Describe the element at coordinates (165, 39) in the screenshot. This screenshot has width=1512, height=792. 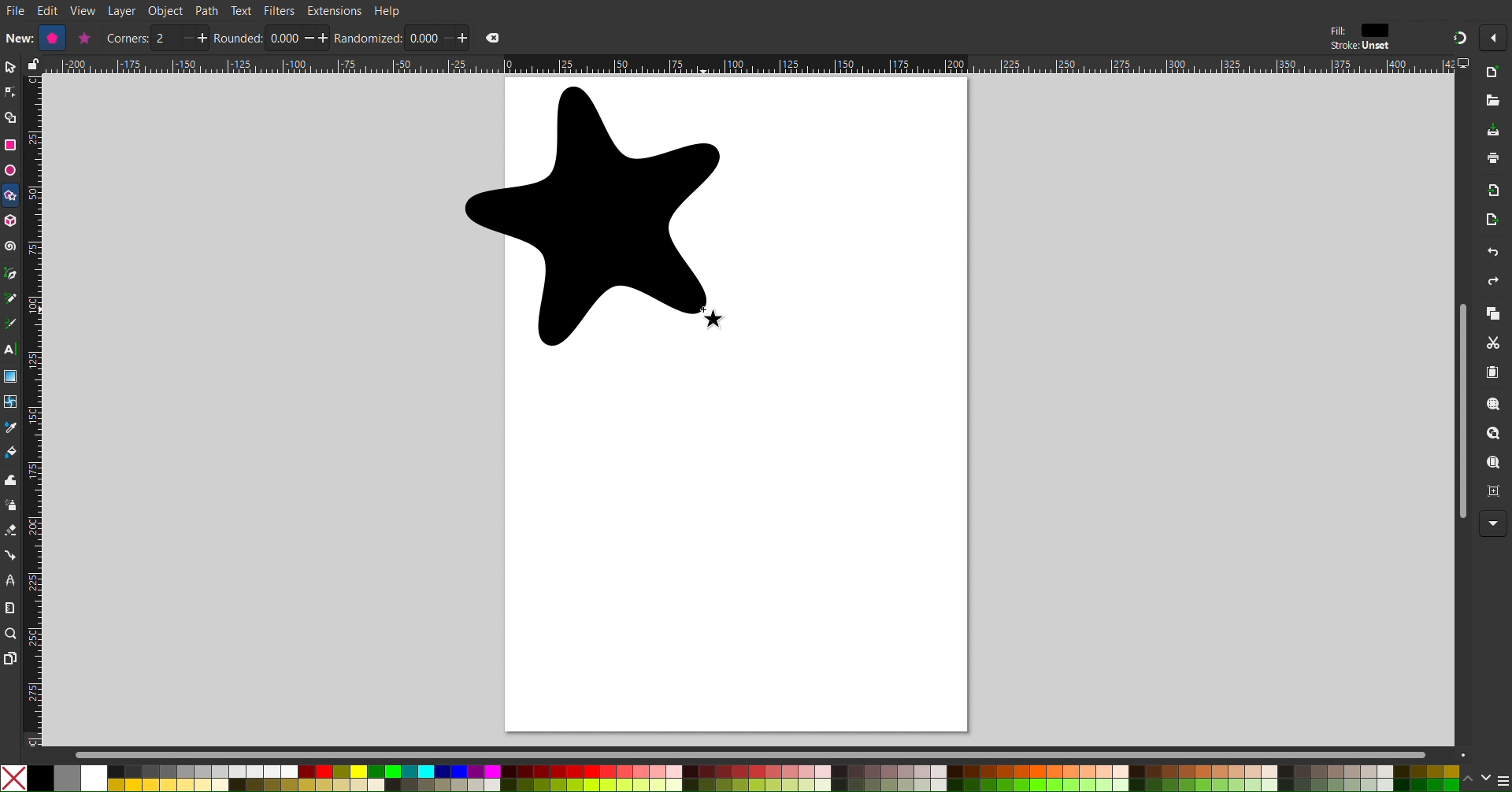
I see `2` at that location.